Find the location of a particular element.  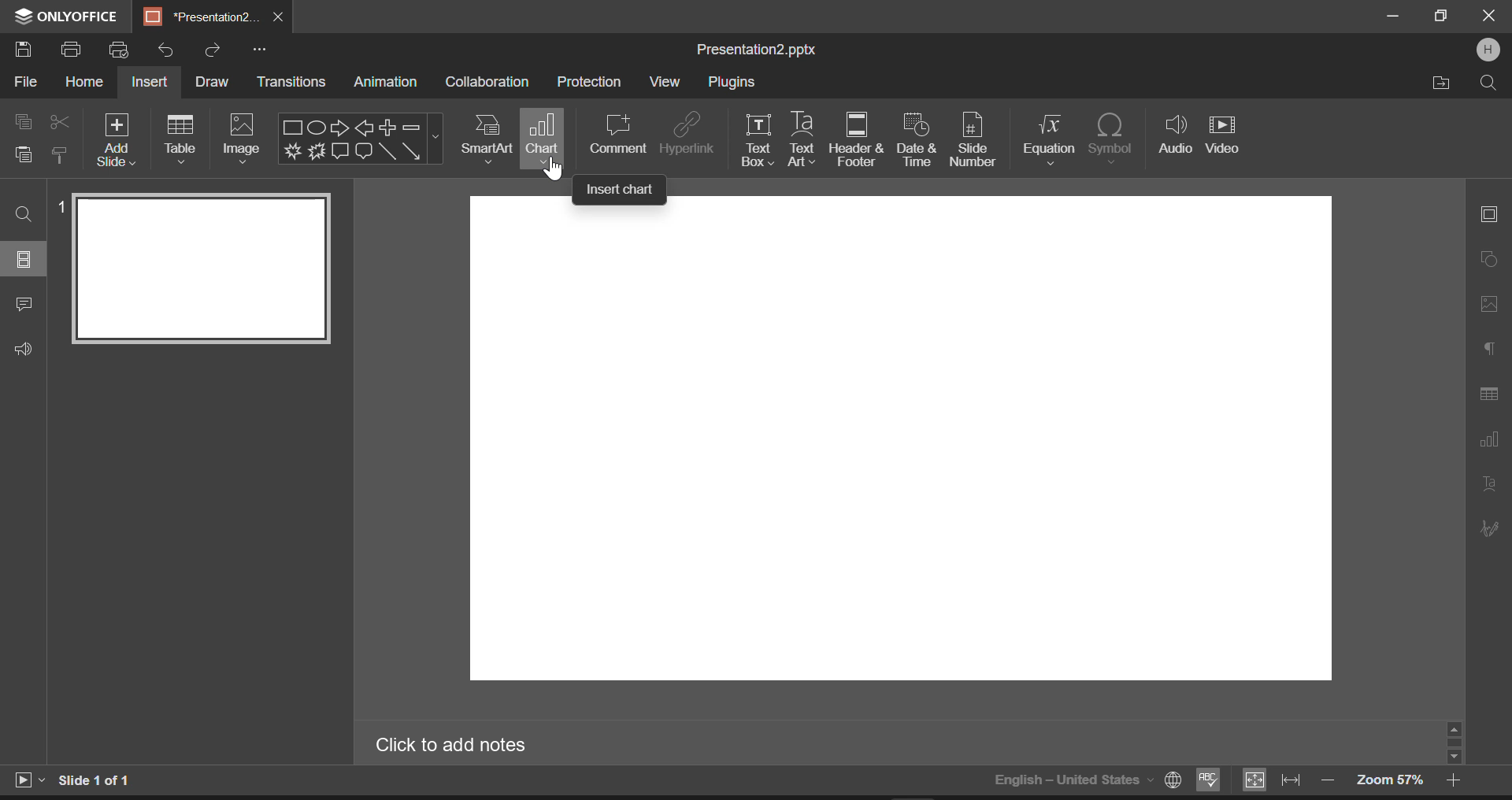

Presentation2.pptx is located at coordinates (762, 50).